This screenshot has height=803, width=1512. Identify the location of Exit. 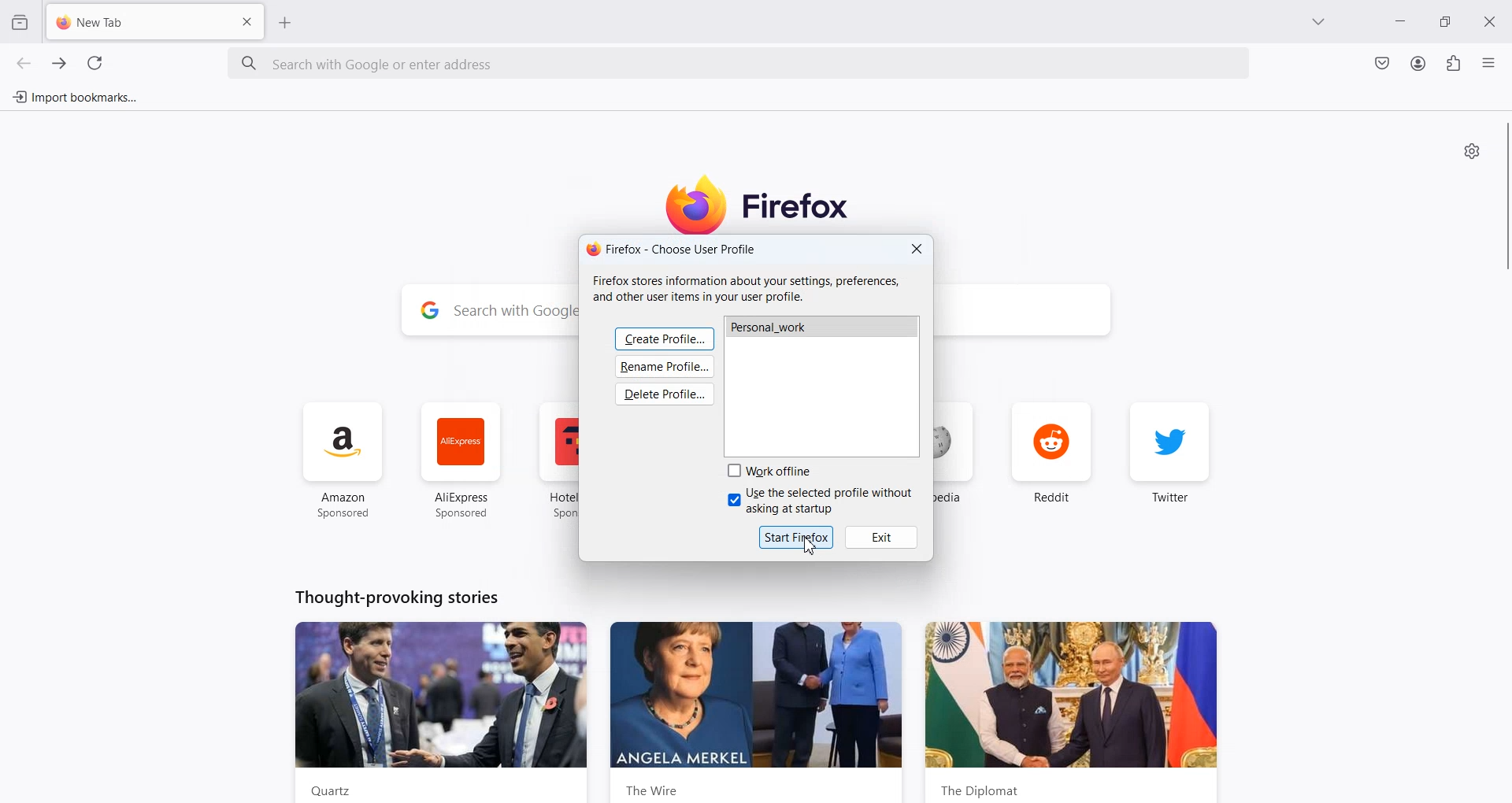
(883, 537).